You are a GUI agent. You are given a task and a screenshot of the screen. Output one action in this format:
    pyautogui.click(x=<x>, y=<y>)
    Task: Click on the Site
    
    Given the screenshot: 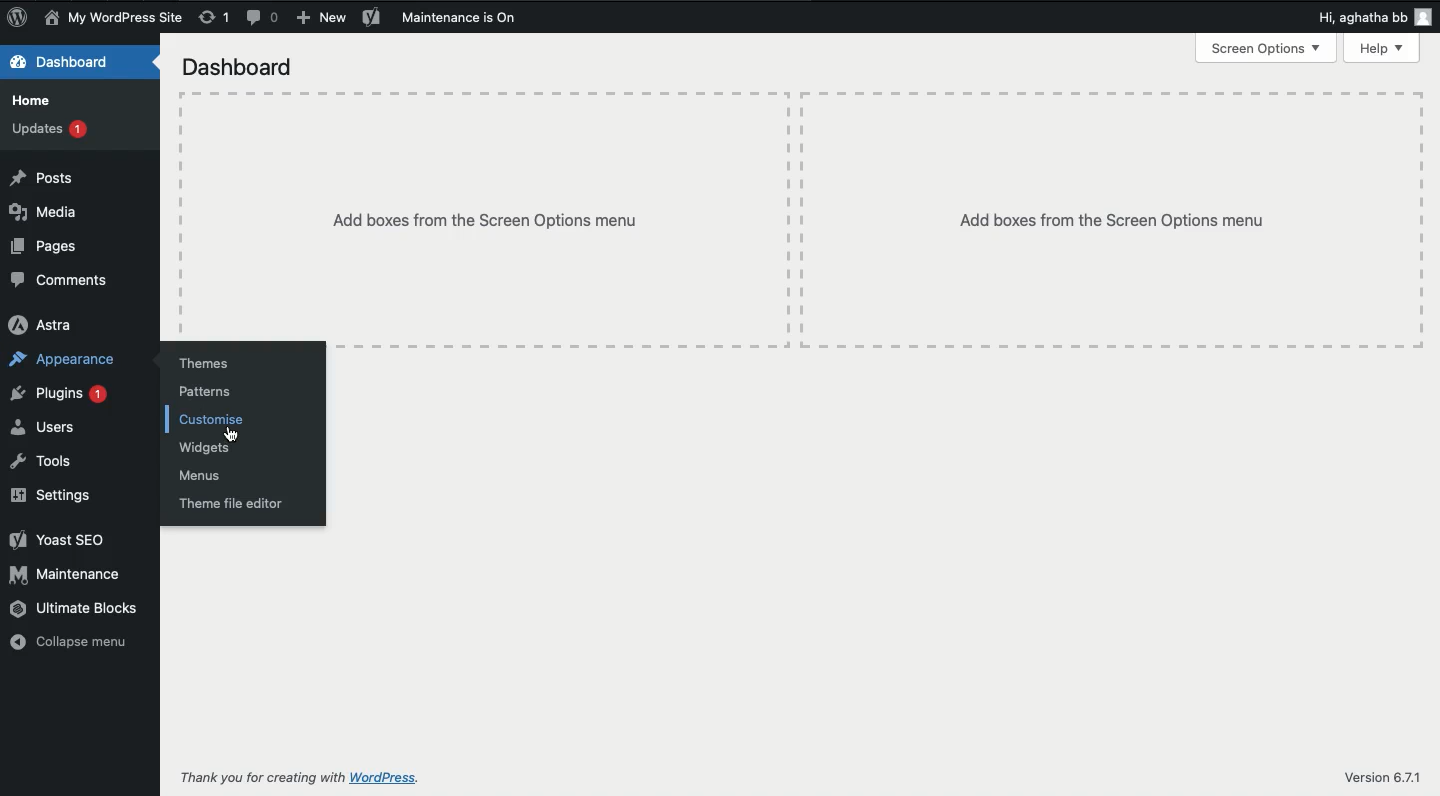 What is the action you would take?
    pyautogui.click(x=111, y=18)
    